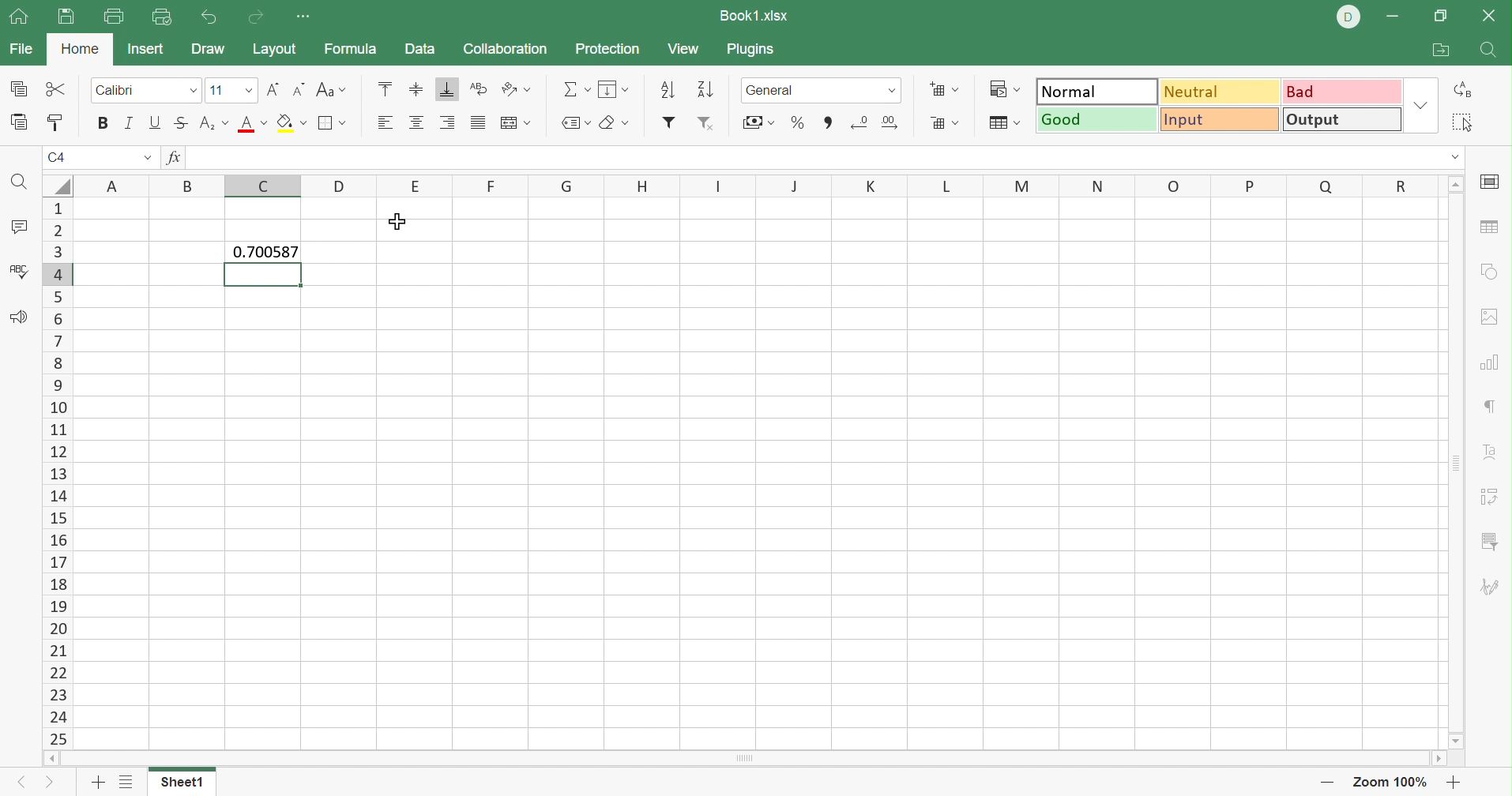 This screenshot has width=1512, height=796. I want to click on Data, so click(418, 48).